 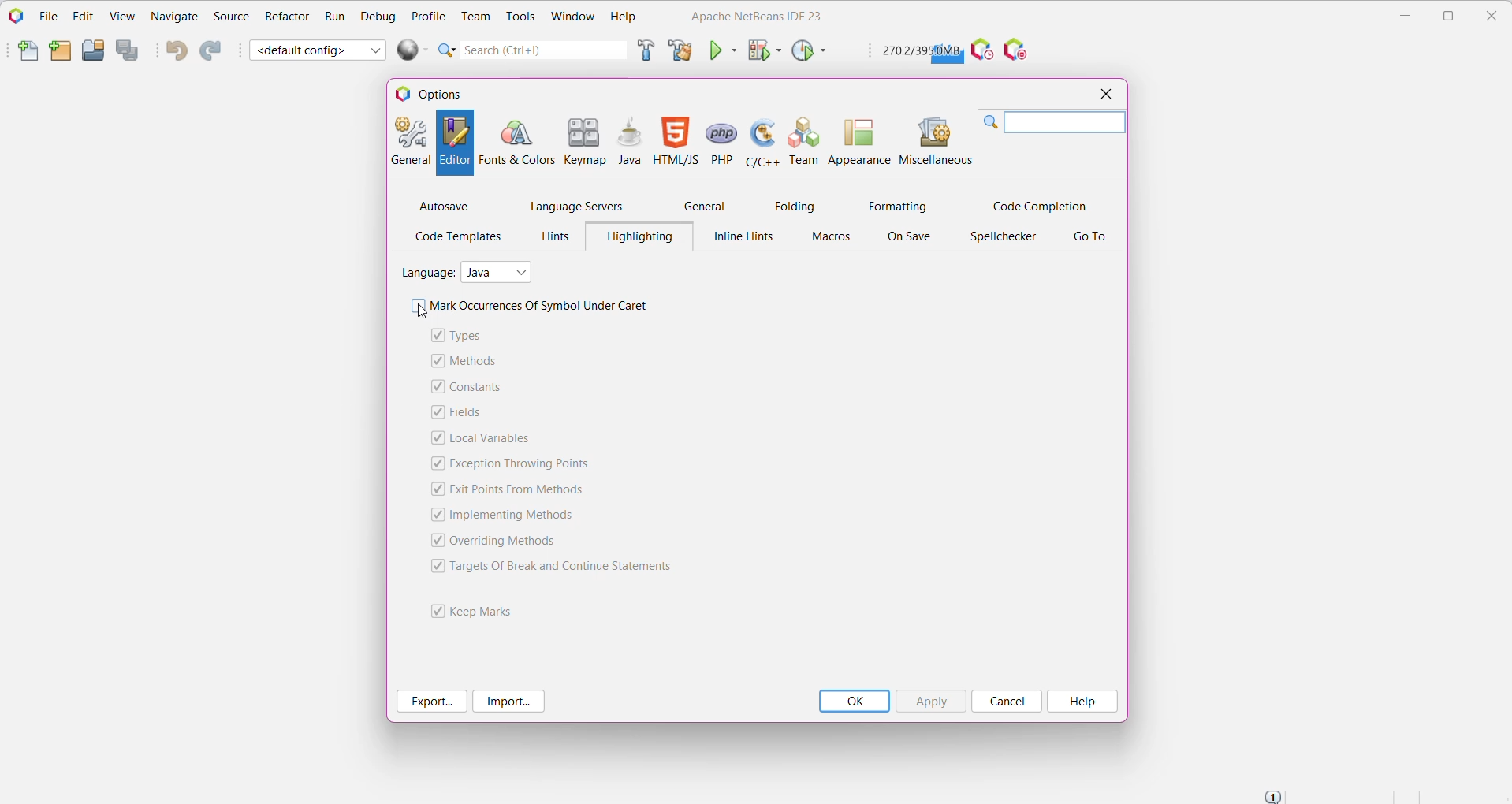 What do you see at coordinates (318, 49) in the screenshot?
I see `Set Project Configuration` at bounding box center [318, 49].